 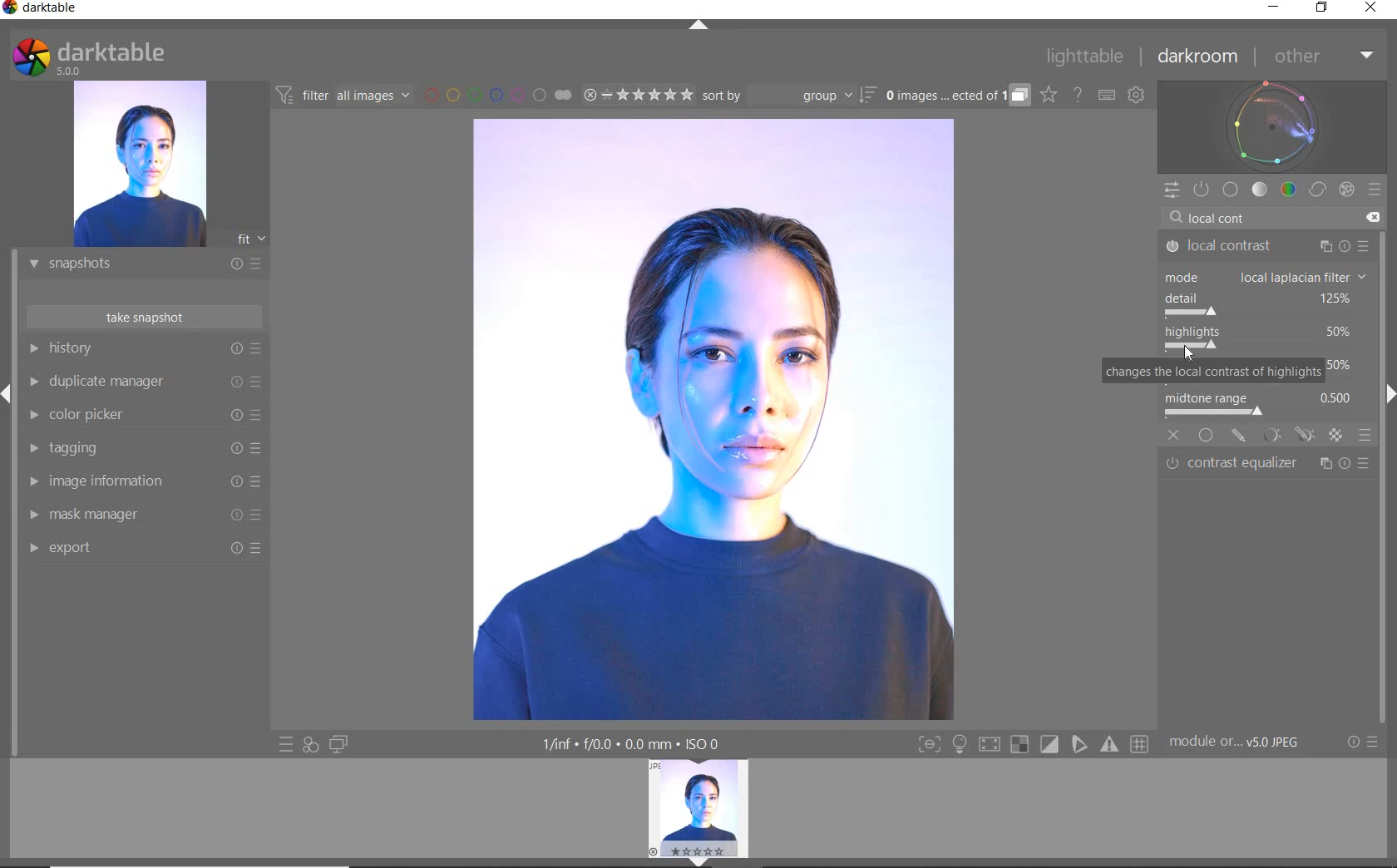 What do you see at coordinates (1198, 57) in the screenshot?
I see `DARKROOM` at bounding box center [1198, 57].